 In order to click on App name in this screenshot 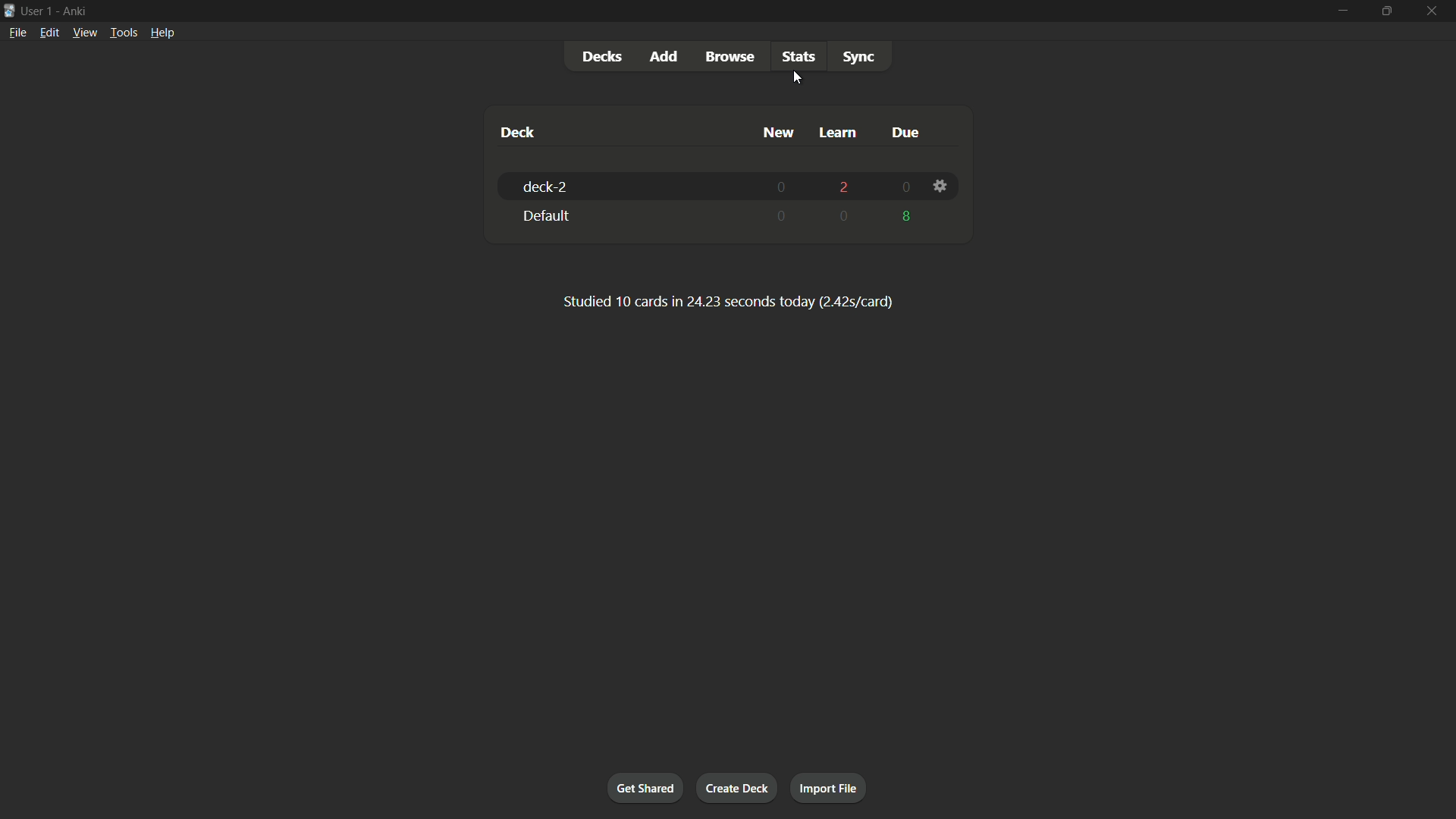, I will do `click(77, 11)`.